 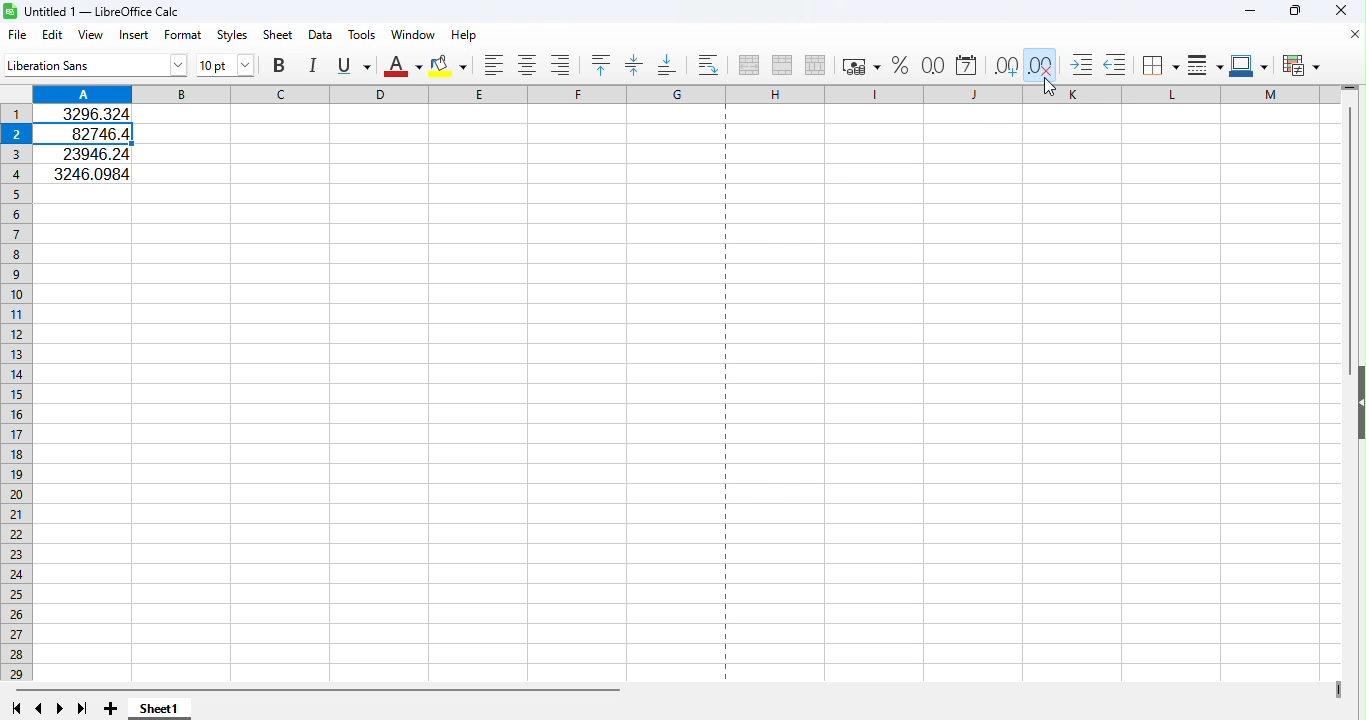 I want to click on Merge cells, so click(x=780, y=66).